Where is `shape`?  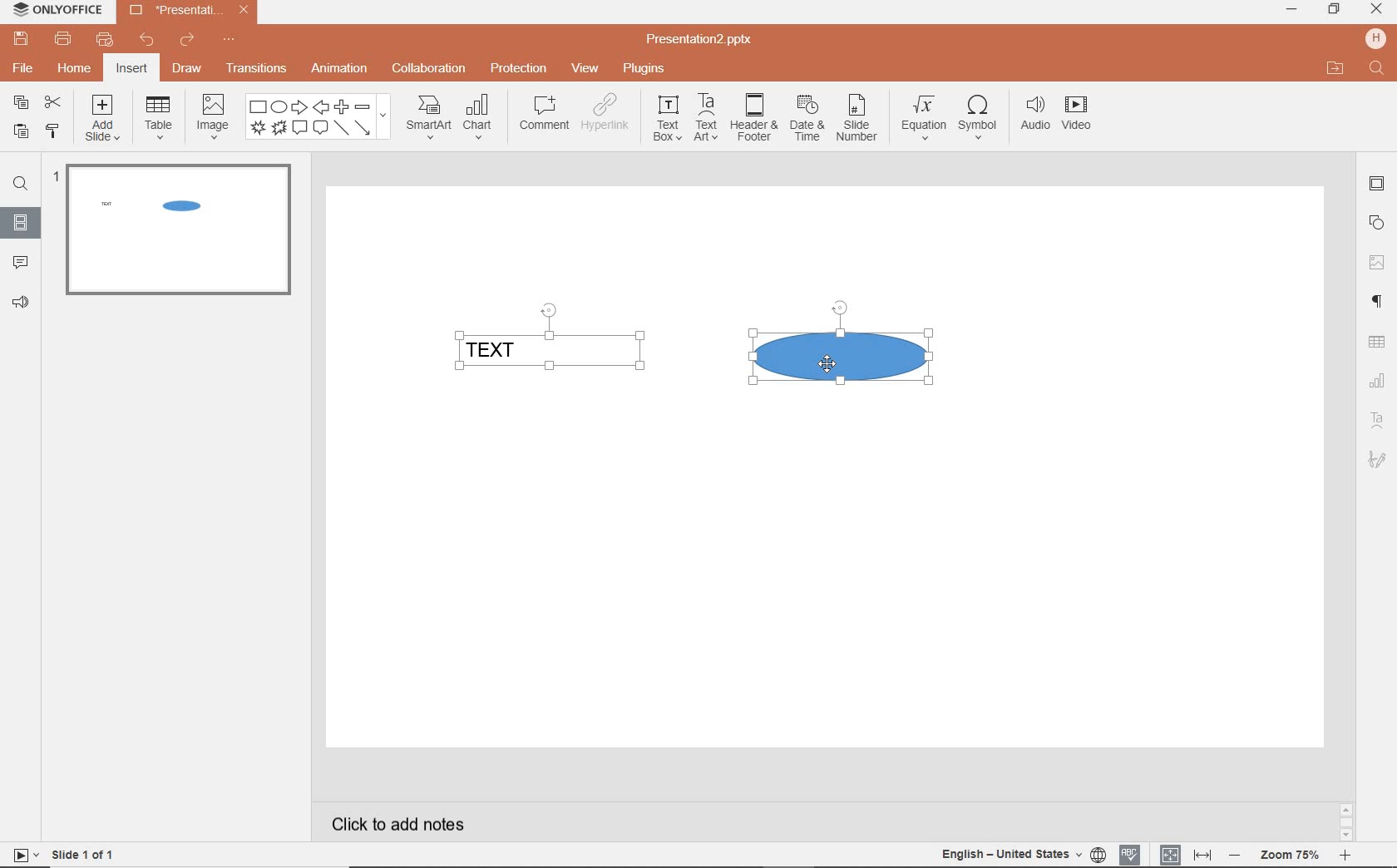
shape is located at coordinates (318, 118).